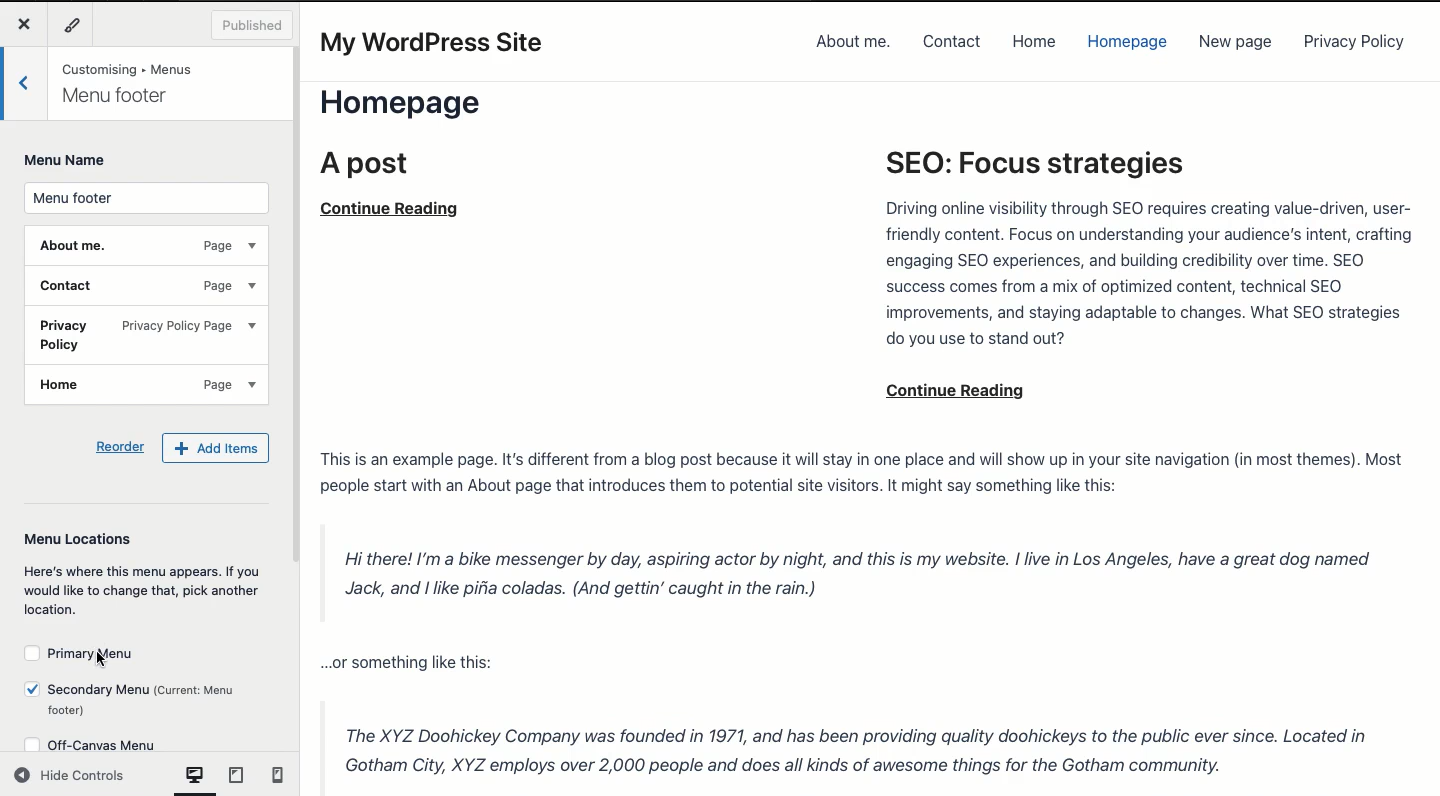 Image resolution: width=1440 pixels, height=796 pixels. What do you see at coordinates (951, 43) in the screenshot?
I see `Contact` at bounding box center [951, 43].